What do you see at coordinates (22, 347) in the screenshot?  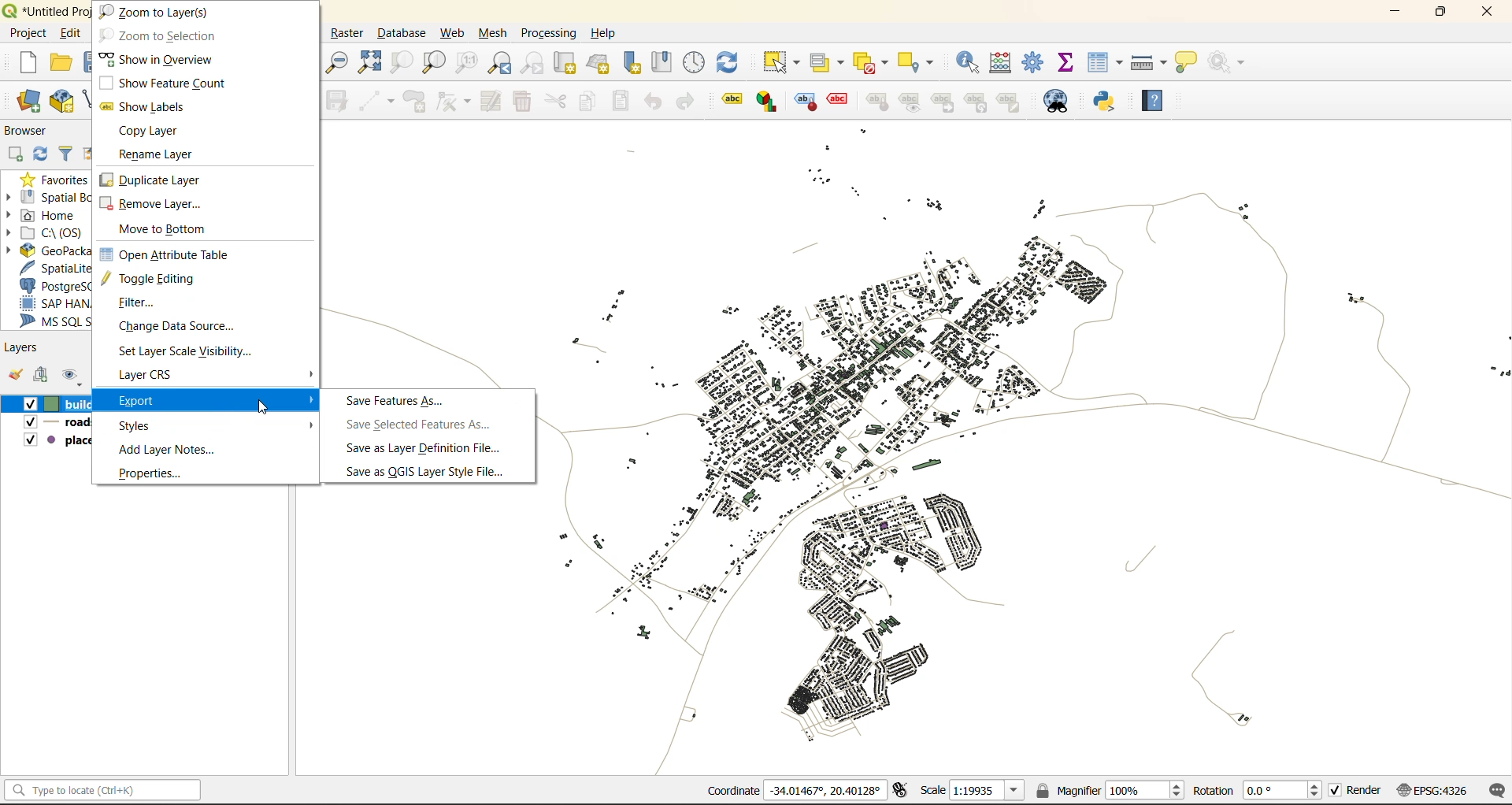 I see `layers` at bounding box center [22, 347].